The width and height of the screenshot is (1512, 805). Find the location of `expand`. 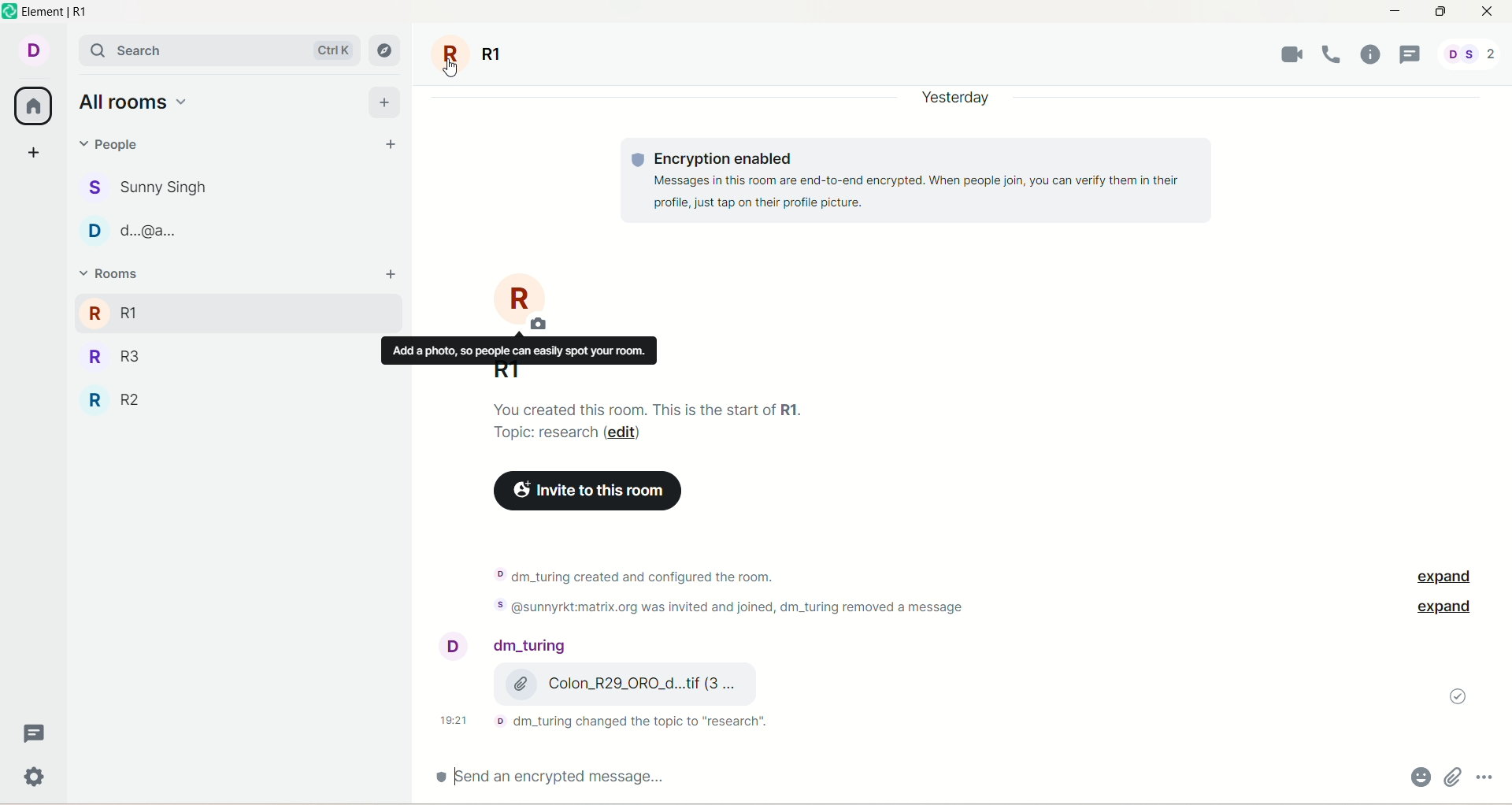

expand is located at coordinates (1452, 610).